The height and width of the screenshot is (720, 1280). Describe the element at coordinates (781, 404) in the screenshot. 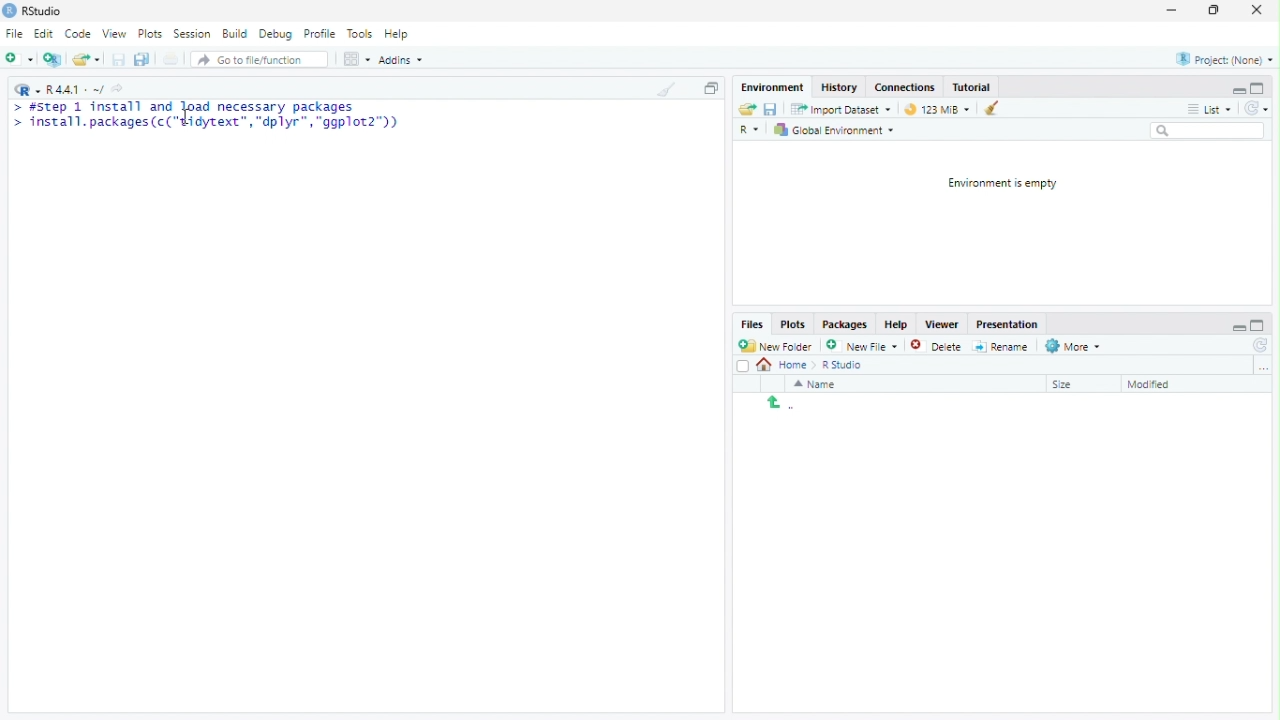

I see `Return` at that location.